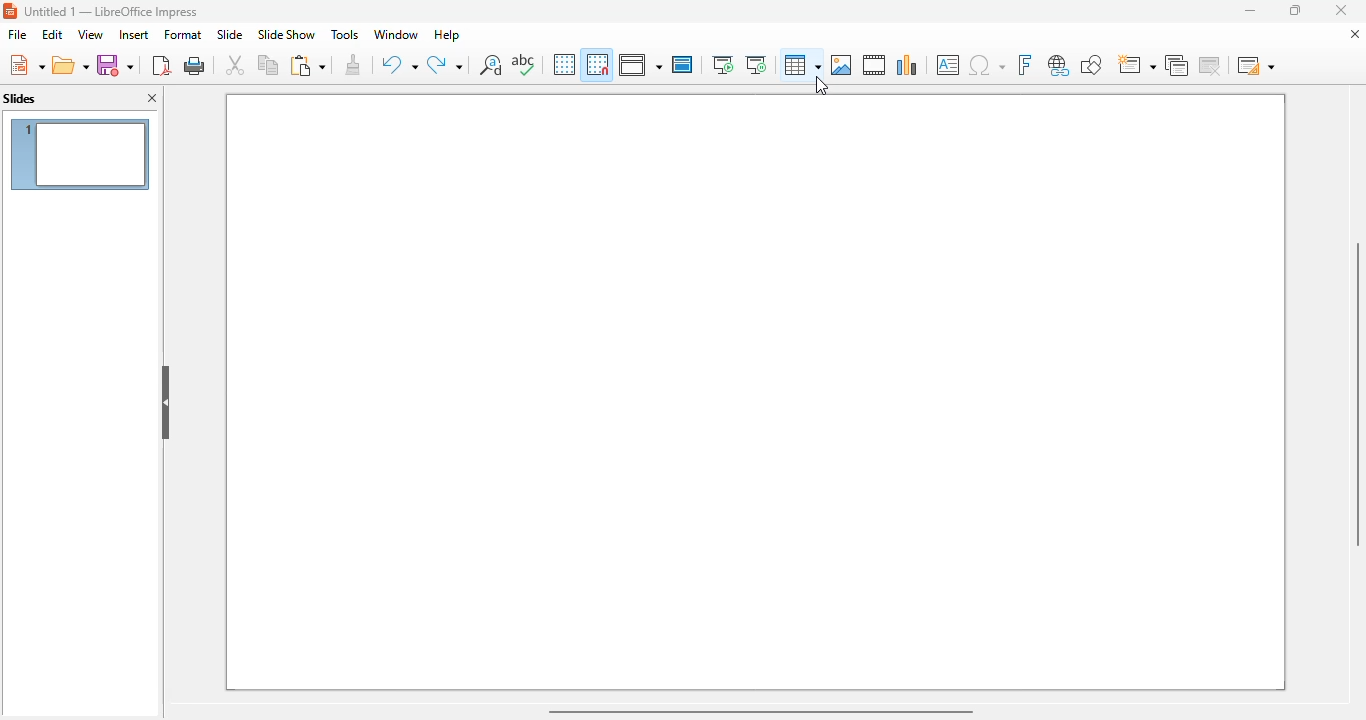 This screenshot has width=1366, height=720. I want to click on insert chart, so click(908, 65).